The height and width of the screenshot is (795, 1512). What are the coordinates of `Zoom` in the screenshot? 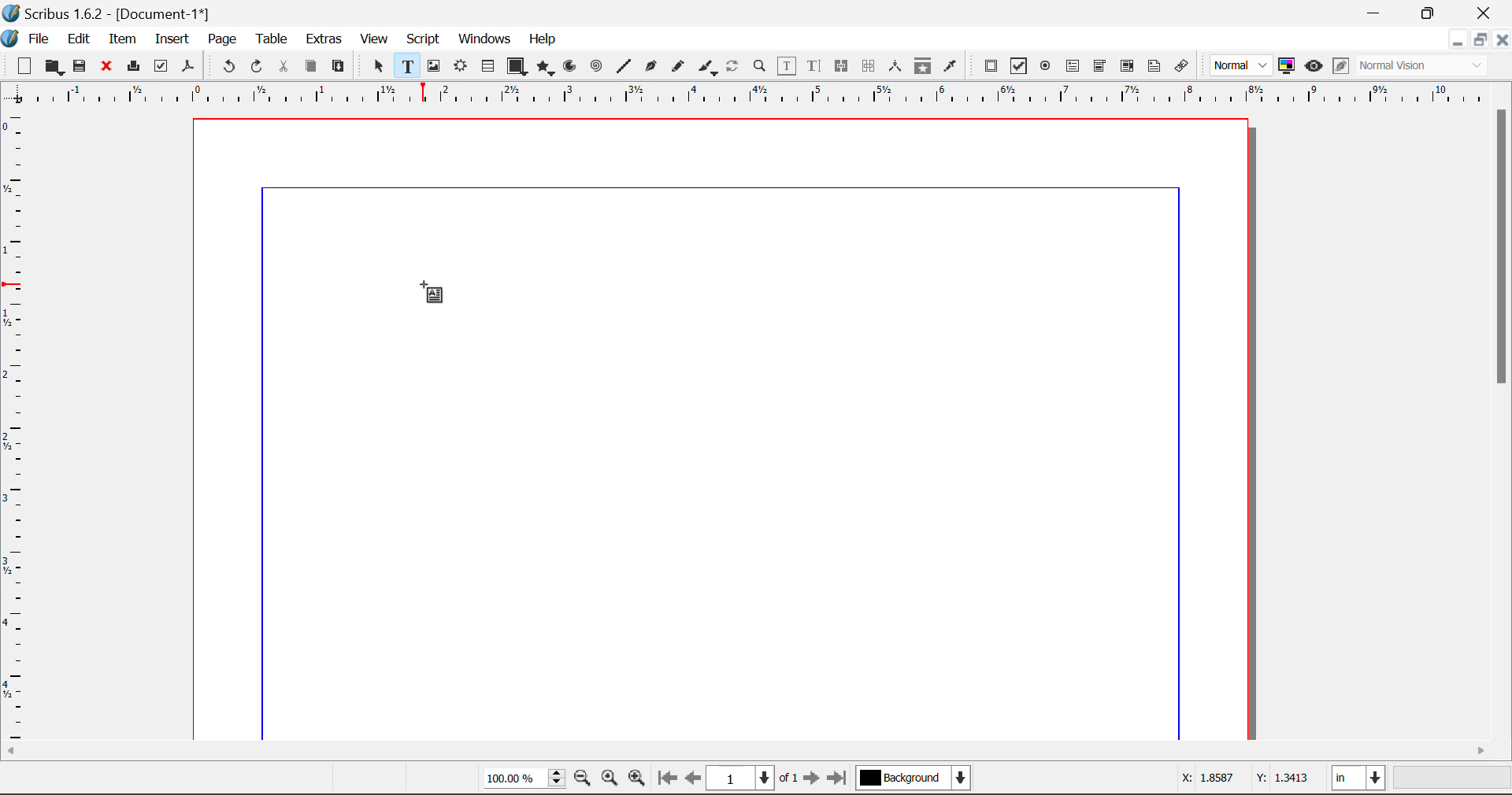 It's located at (761, 65).